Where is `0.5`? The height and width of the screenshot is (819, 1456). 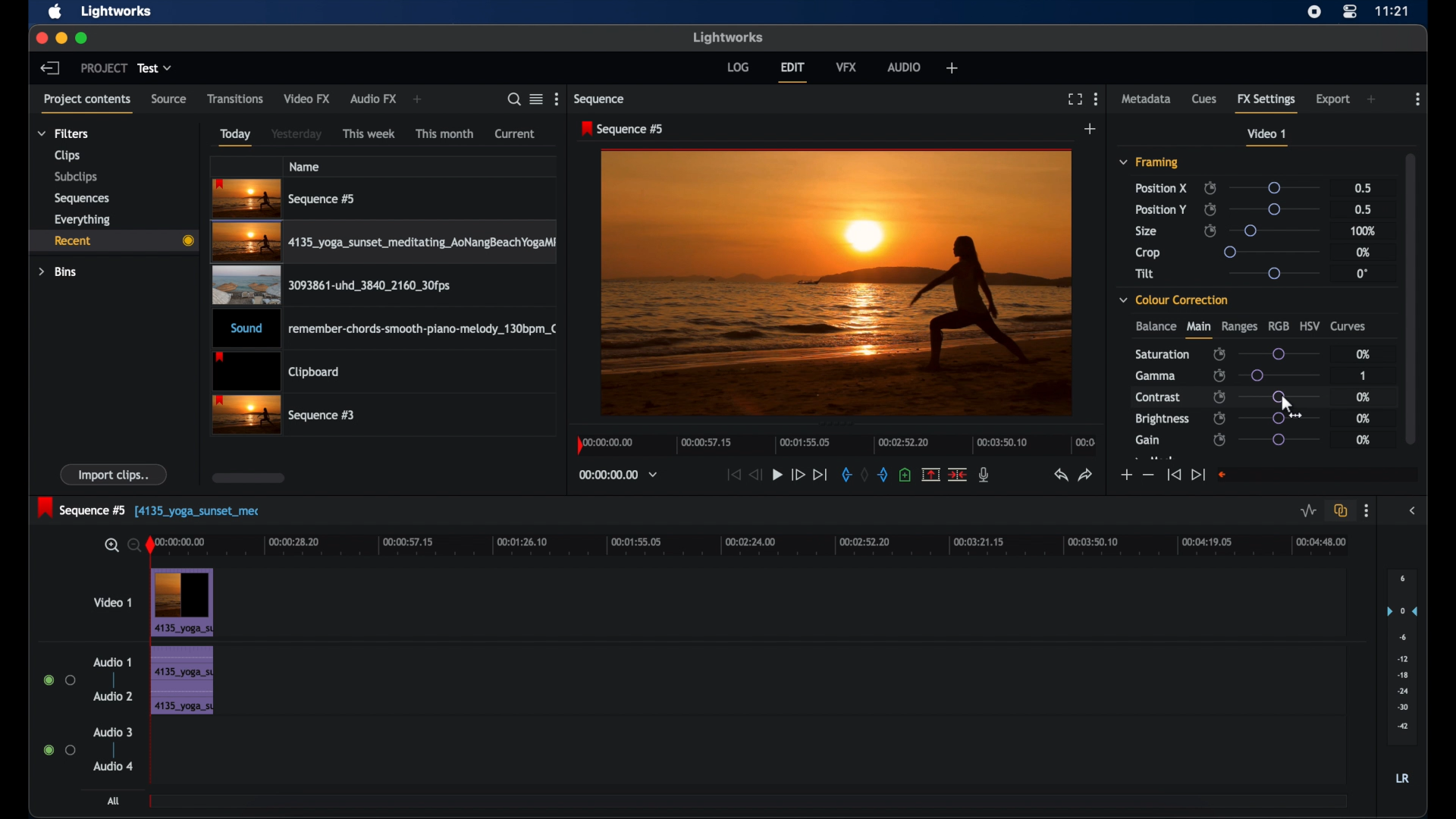
0.5 is located at coordinates (1363, 187).